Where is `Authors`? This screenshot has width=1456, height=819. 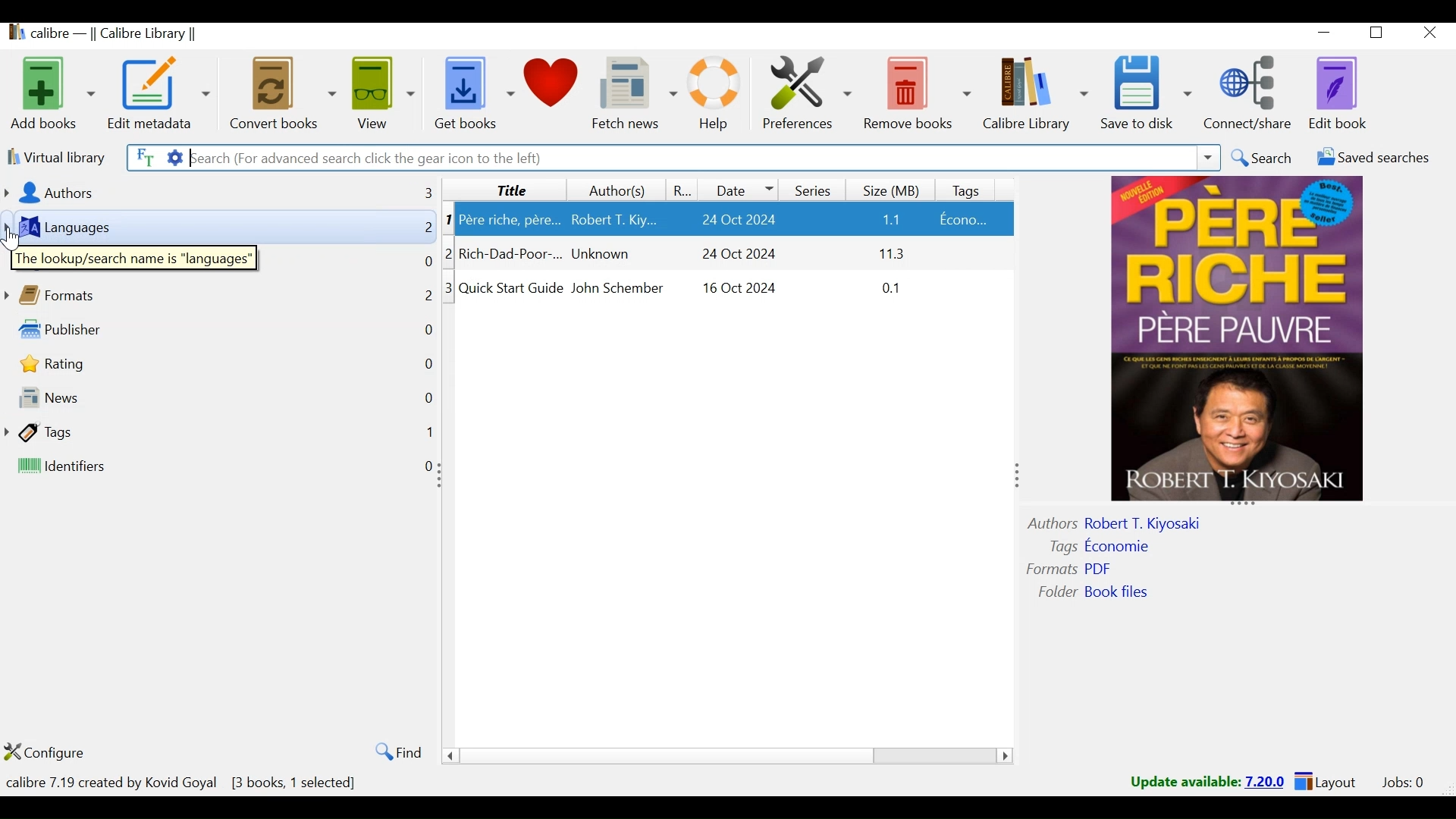 Authors is located at coordinates (615, 190).